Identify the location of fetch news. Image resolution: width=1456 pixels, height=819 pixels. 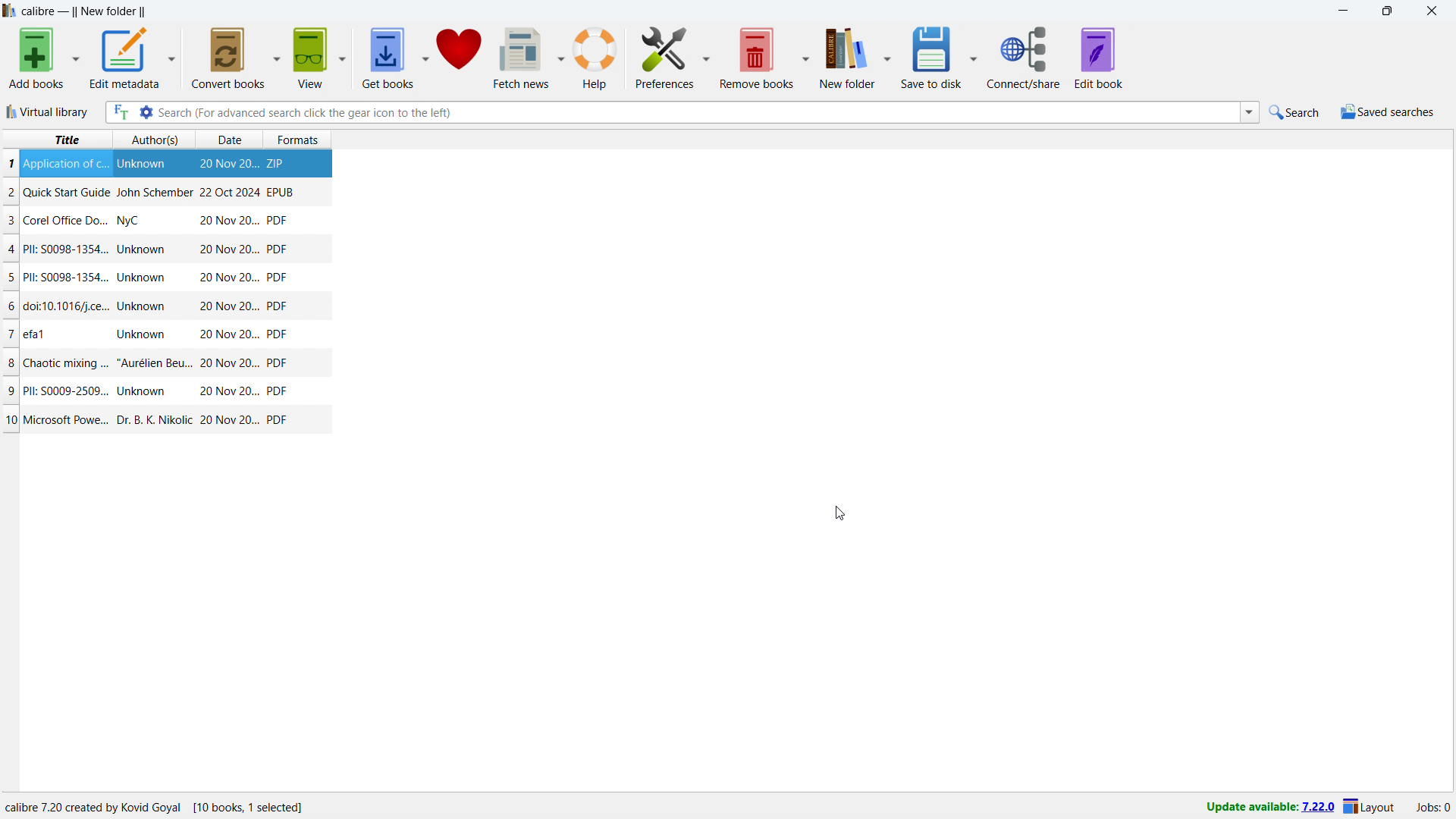
(523, 57).